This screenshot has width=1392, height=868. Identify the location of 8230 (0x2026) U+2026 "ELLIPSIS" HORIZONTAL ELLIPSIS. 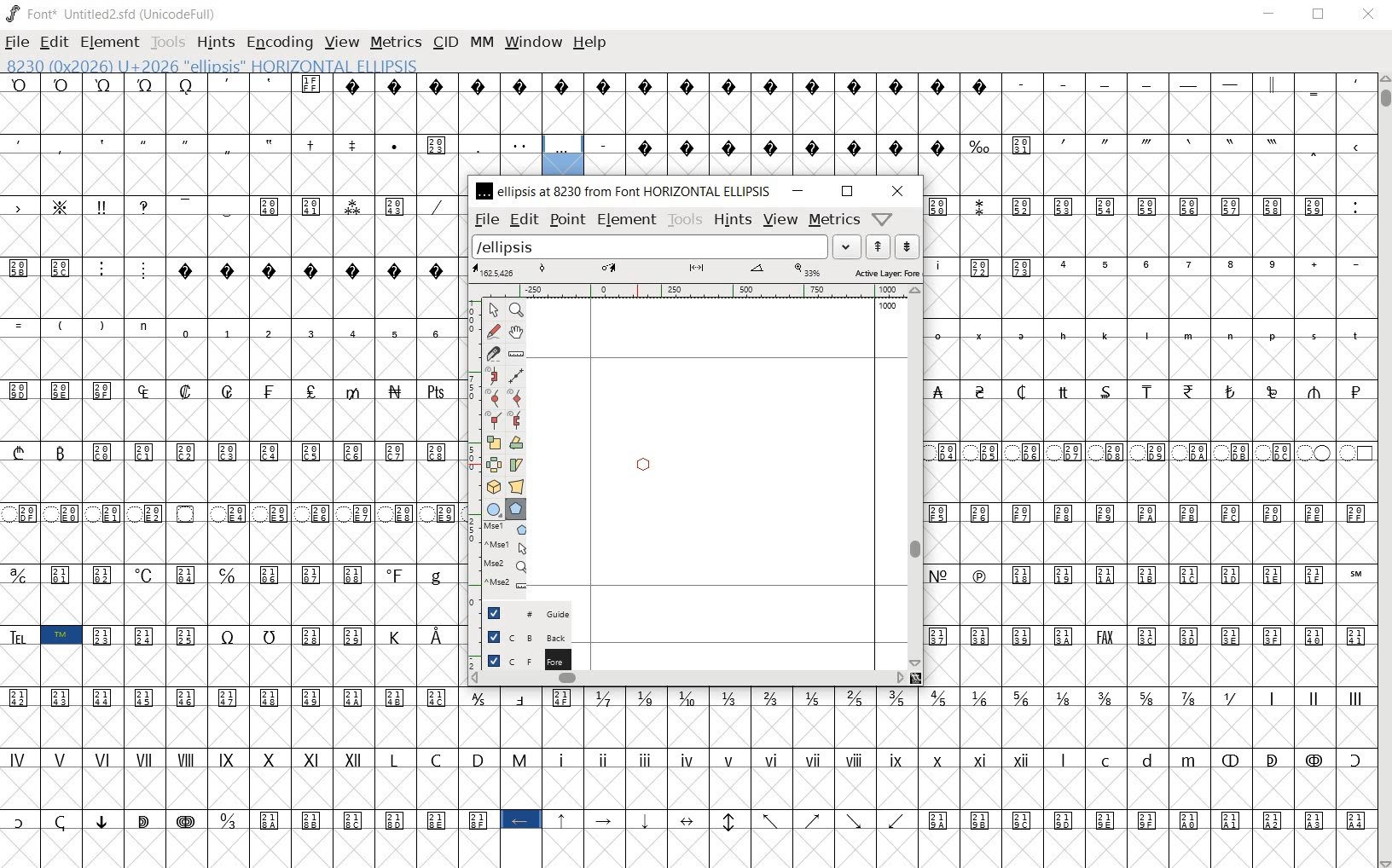
(563, 156).